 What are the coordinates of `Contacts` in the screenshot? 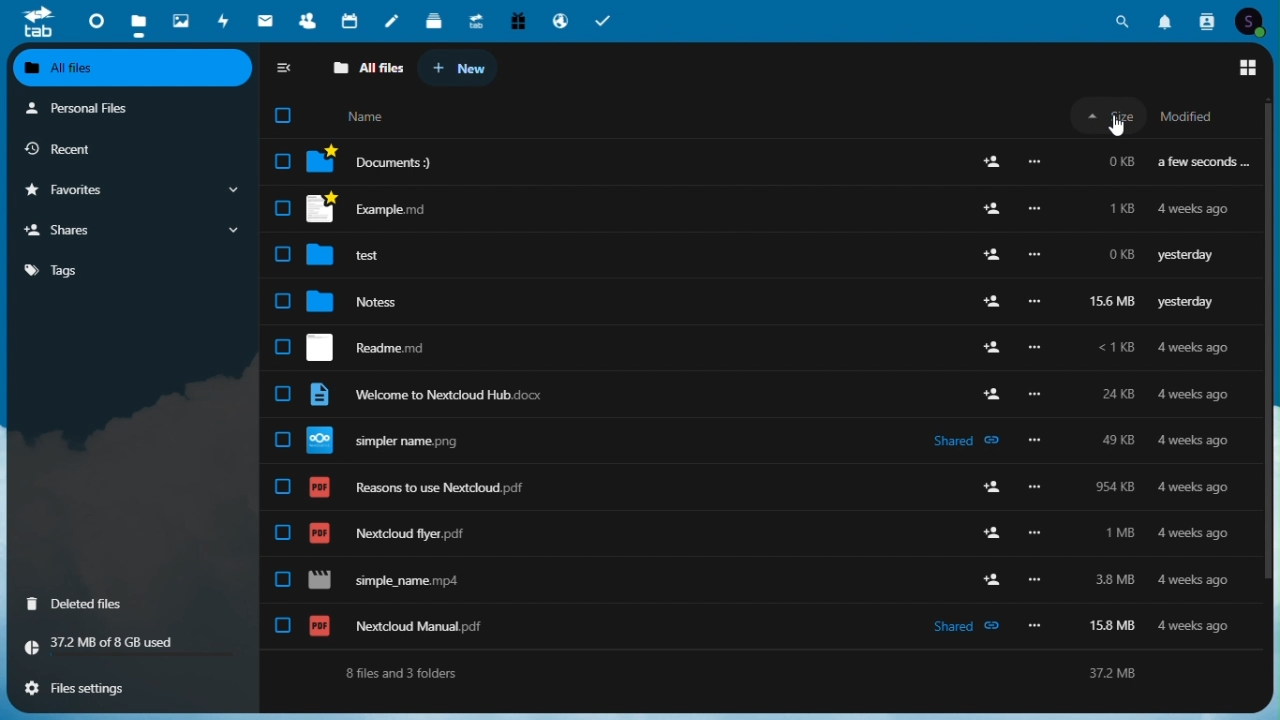 It's located at (1208, 18).